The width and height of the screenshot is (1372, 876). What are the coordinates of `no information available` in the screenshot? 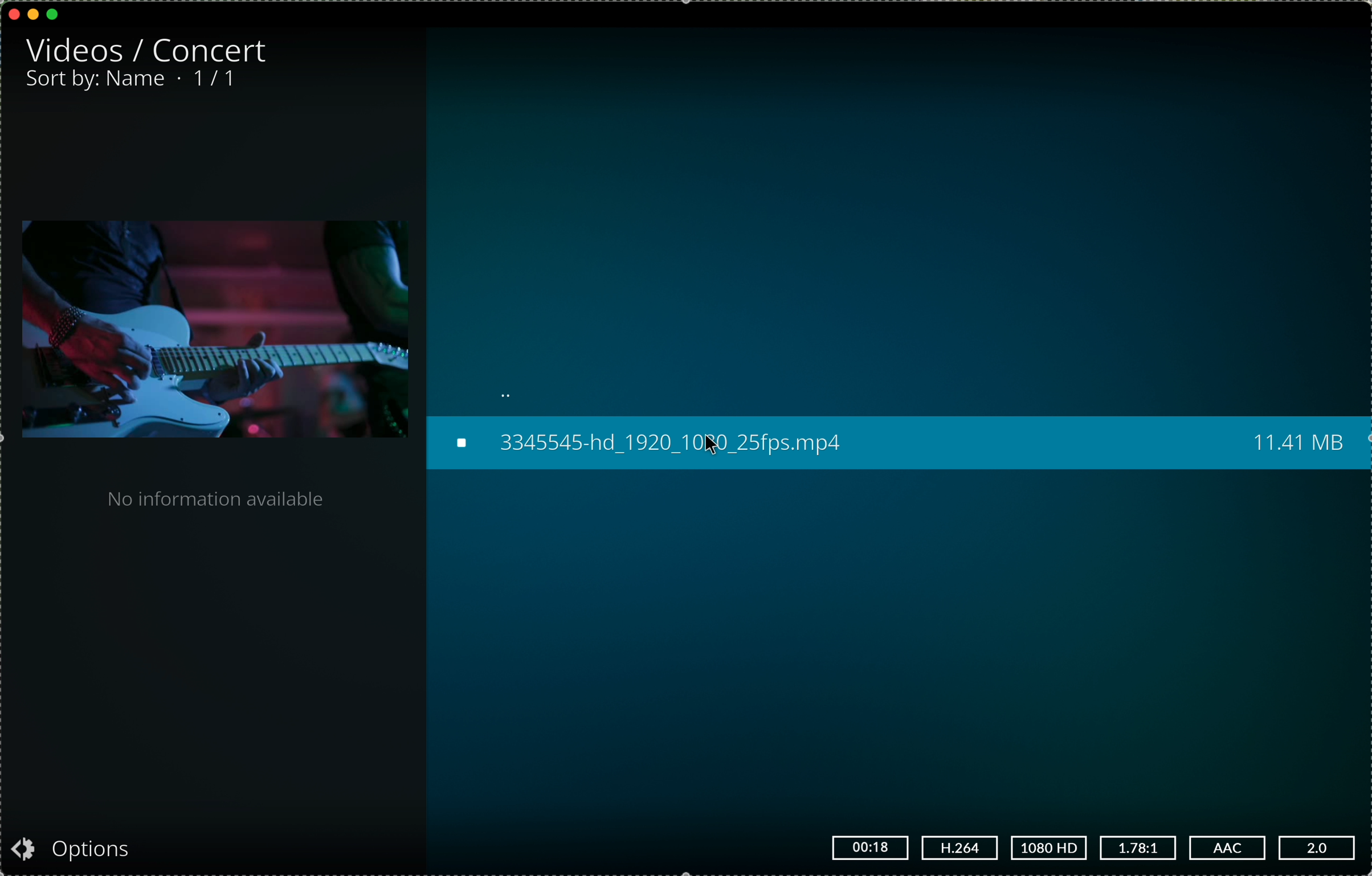 It's located at (217, 497).